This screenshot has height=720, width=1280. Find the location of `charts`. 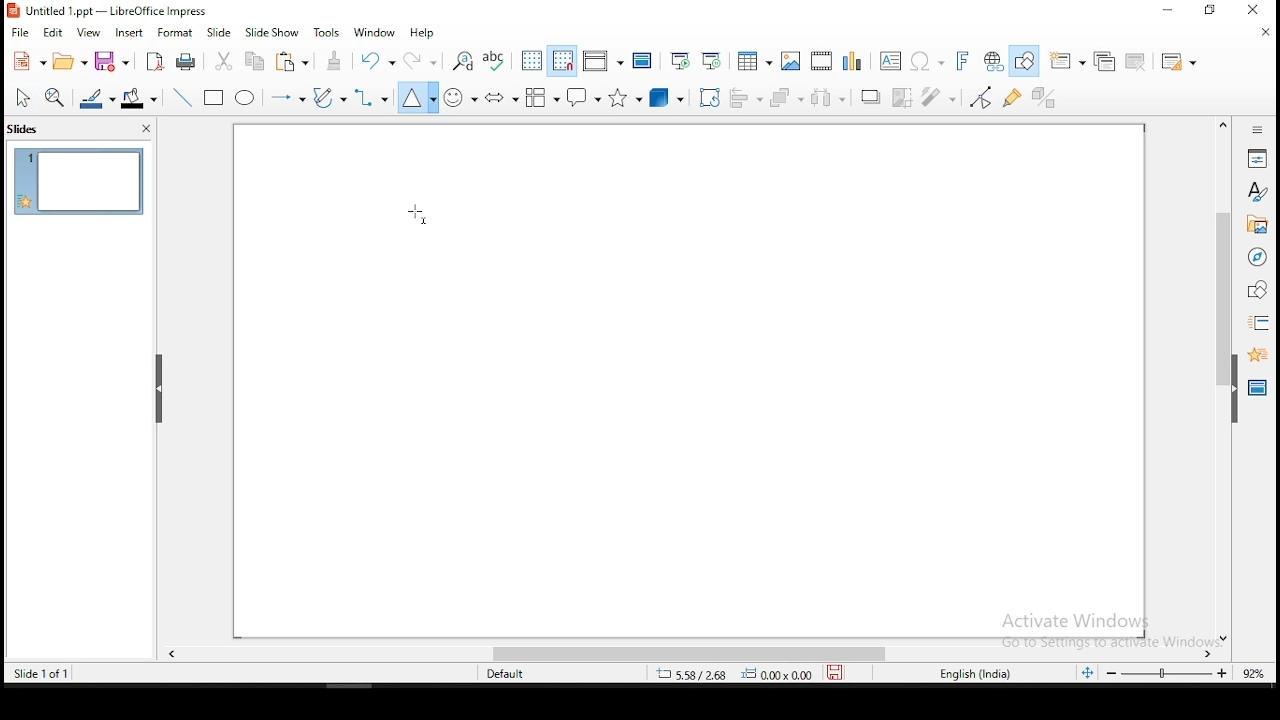

charts is located at coordinates (853, 59).